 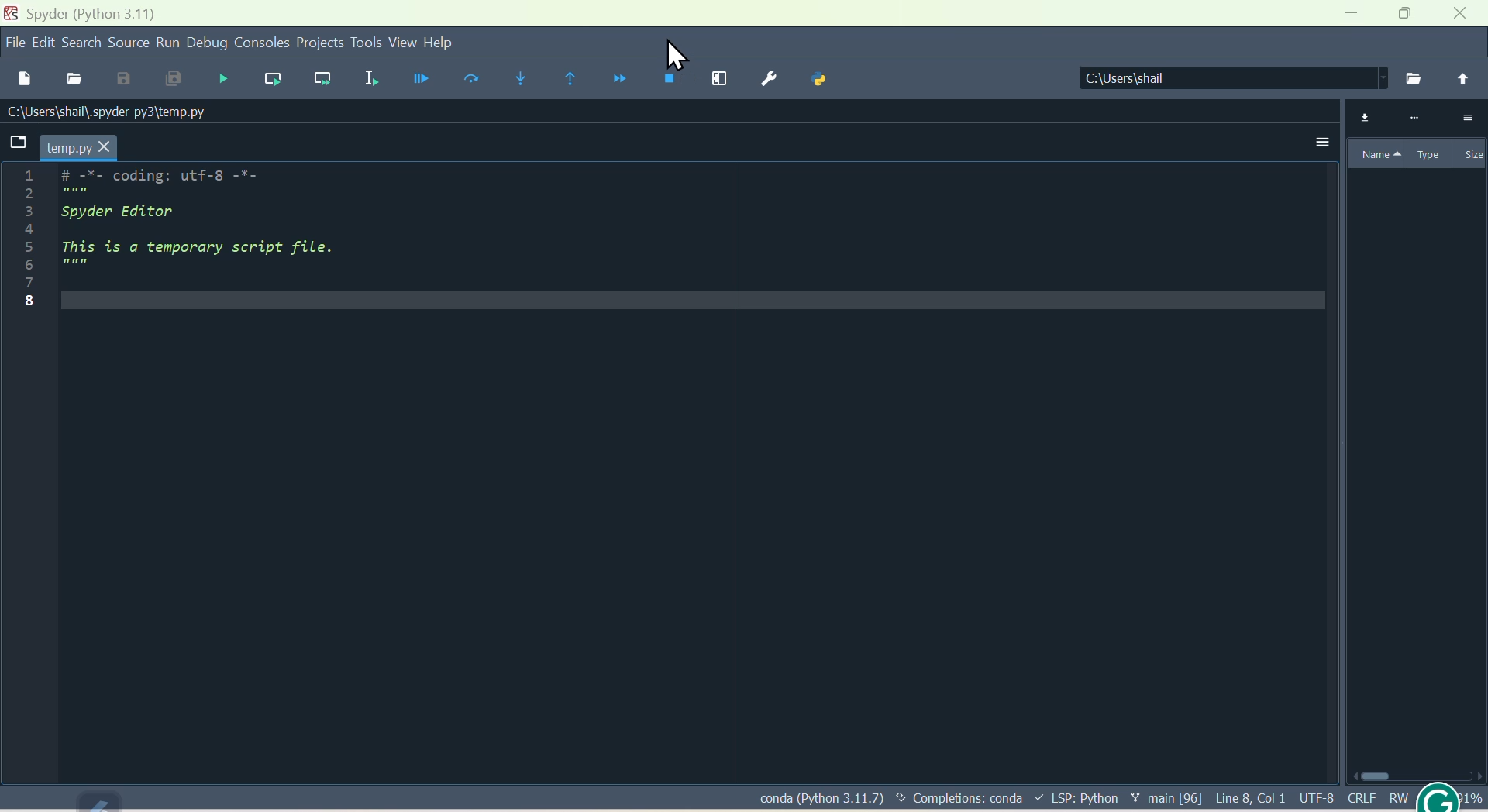 I want to click on Locations of the file - C:\Users\shail, so click(x=1227, y=79).